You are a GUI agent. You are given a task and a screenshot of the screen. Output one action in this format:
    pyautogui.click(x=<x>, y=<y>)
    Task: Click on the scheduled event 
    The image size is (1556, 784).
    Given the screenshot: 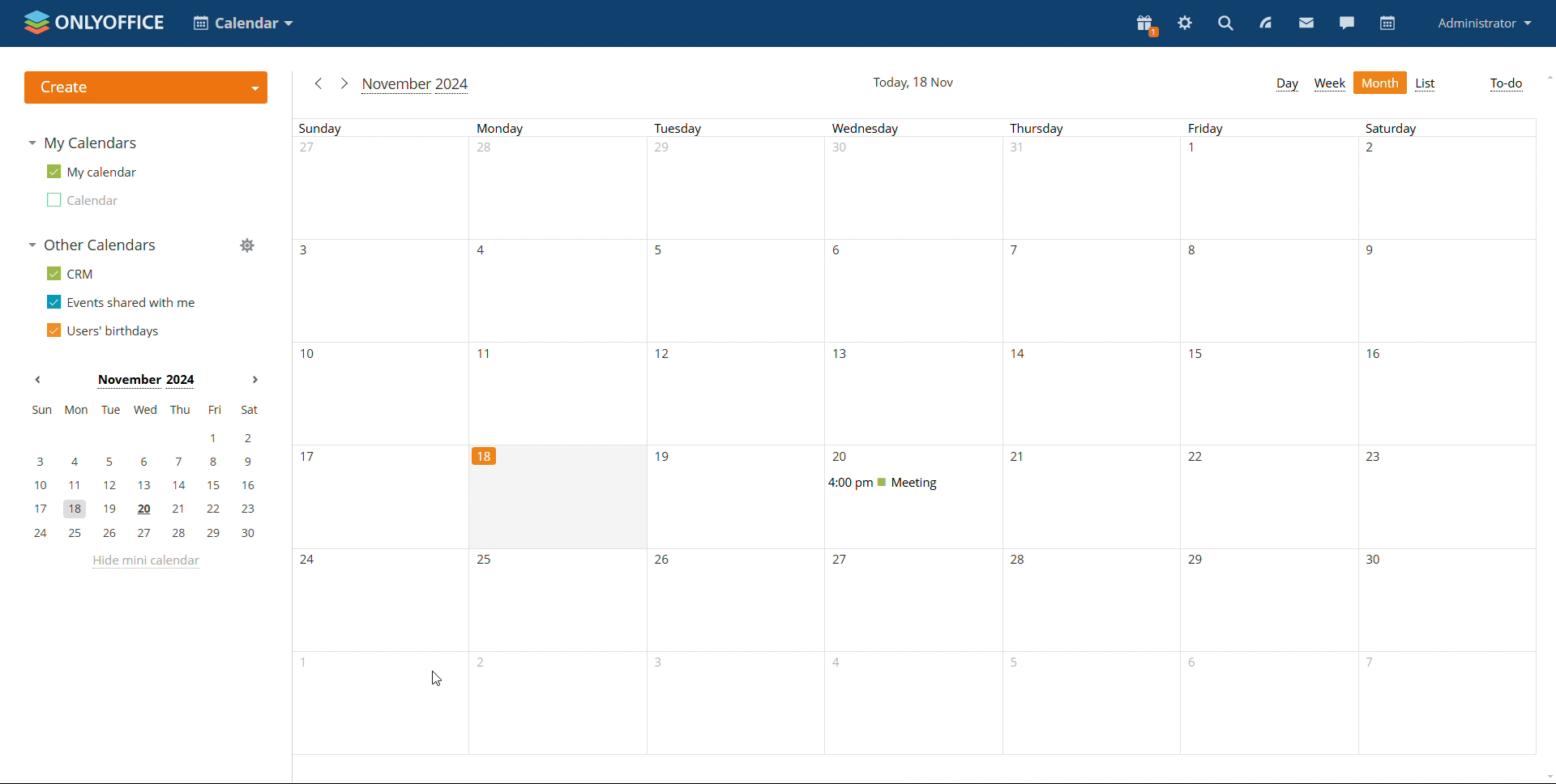 What is the action you would take?
    pyautogui.click(x=908, y=483)
    